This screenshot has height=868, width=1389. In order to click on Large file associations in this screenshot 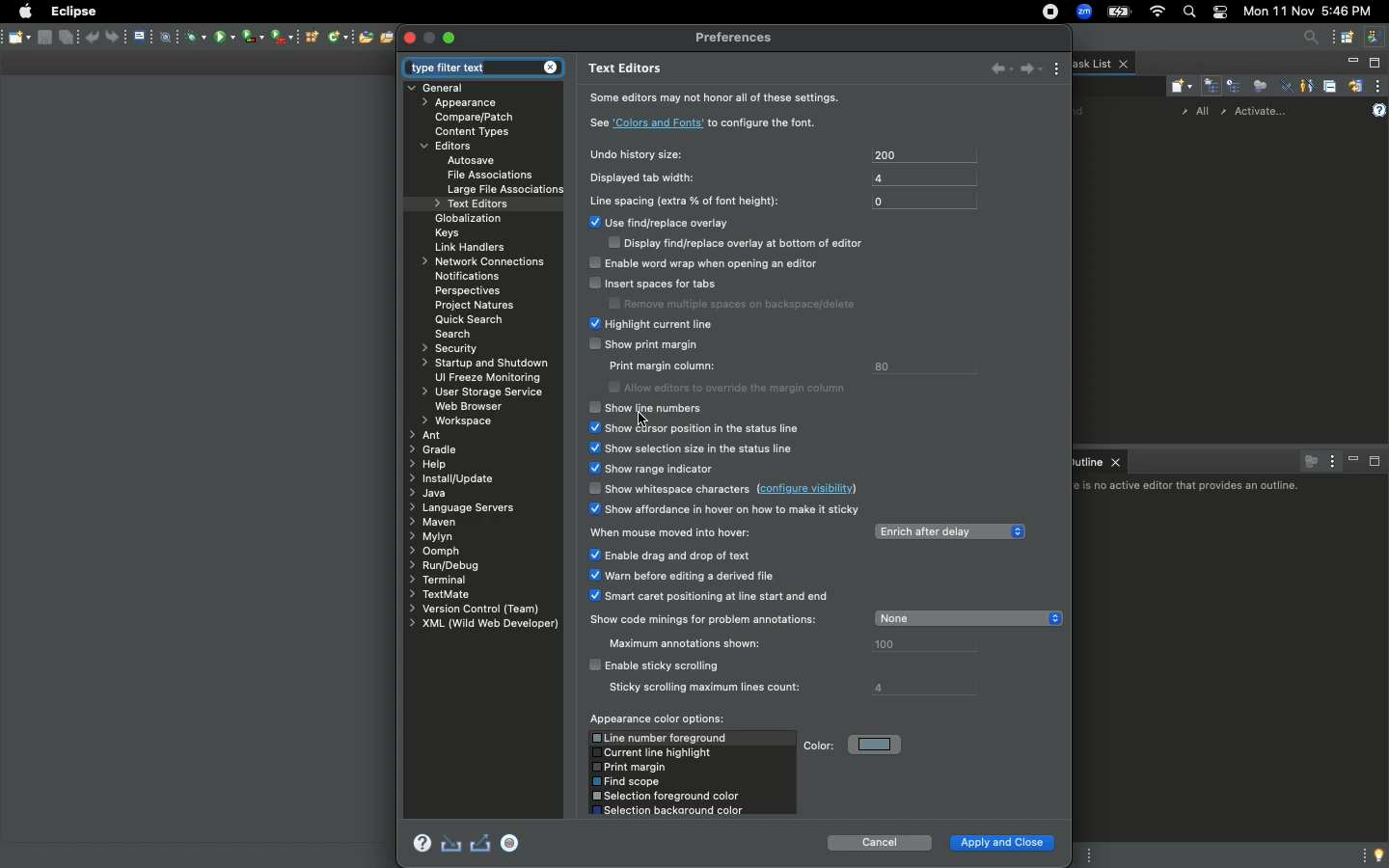, I will do `click(506, 190)`.